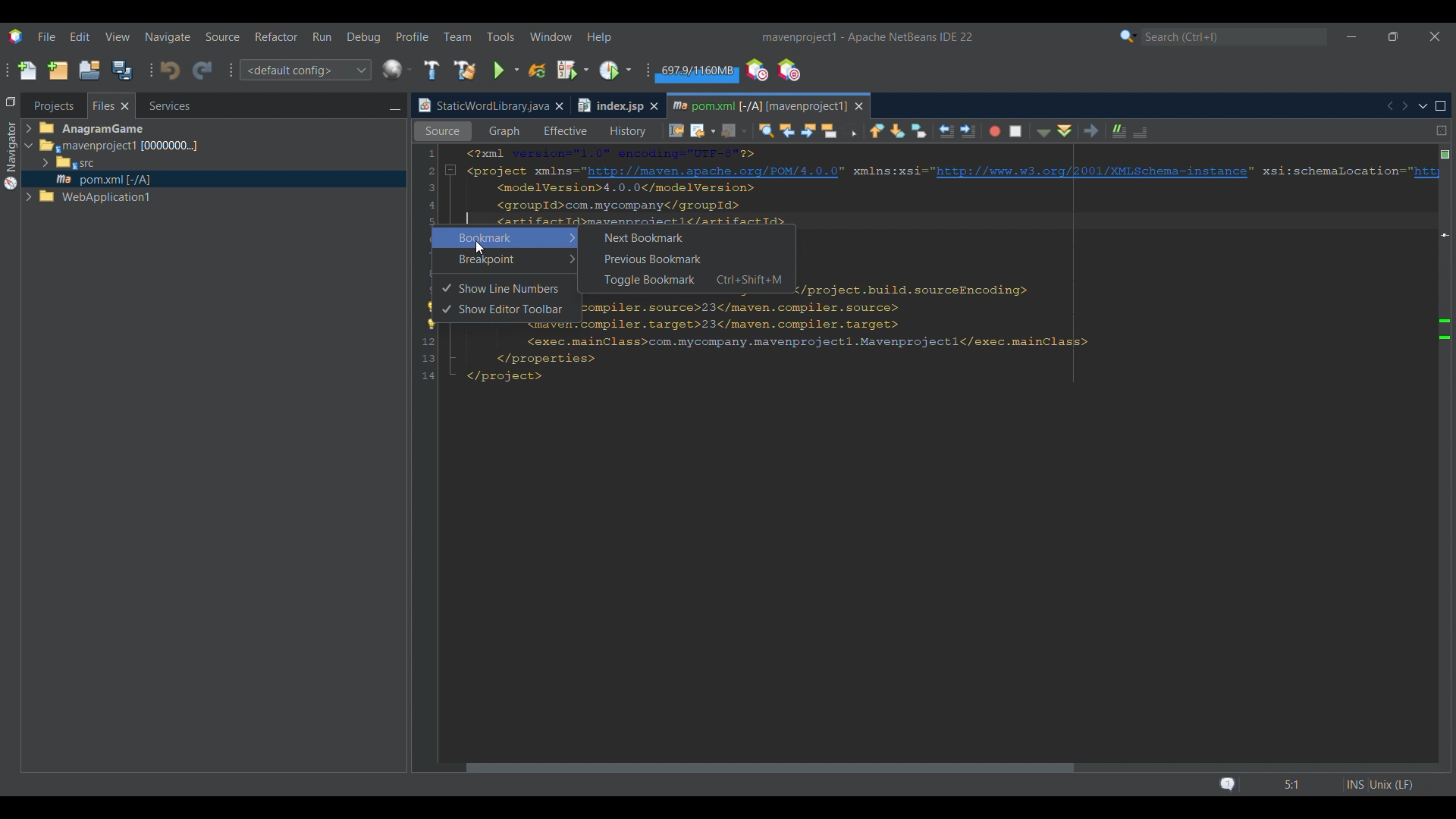 The width and height of the screenshot is (1456, 819). Describe the element at coordinates (457, 36) in the screenshot. I see `Team menu` at that location.